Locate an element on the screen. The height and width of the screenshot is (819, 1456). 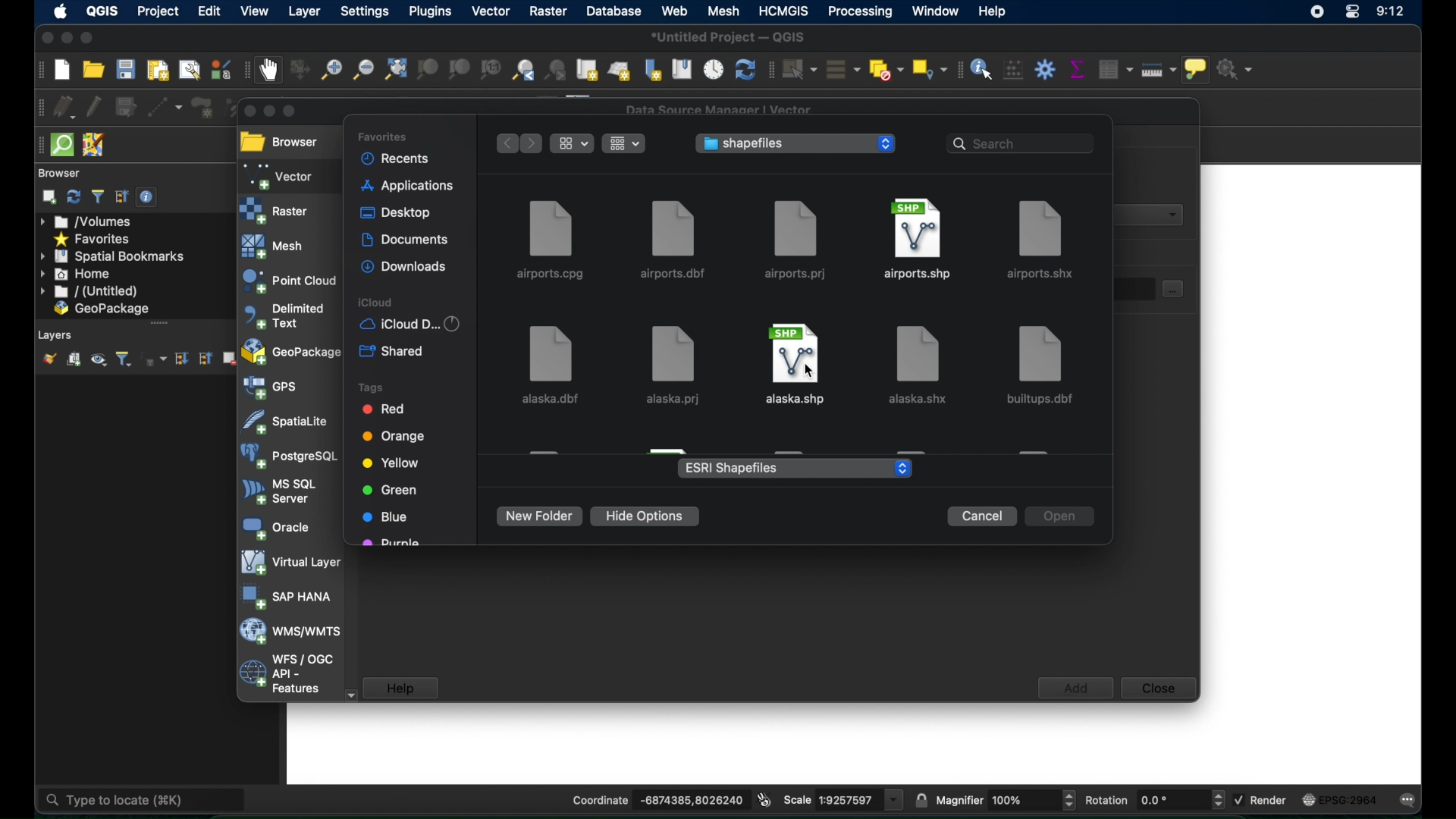
project toolbar is located at coordinates (35, 71).